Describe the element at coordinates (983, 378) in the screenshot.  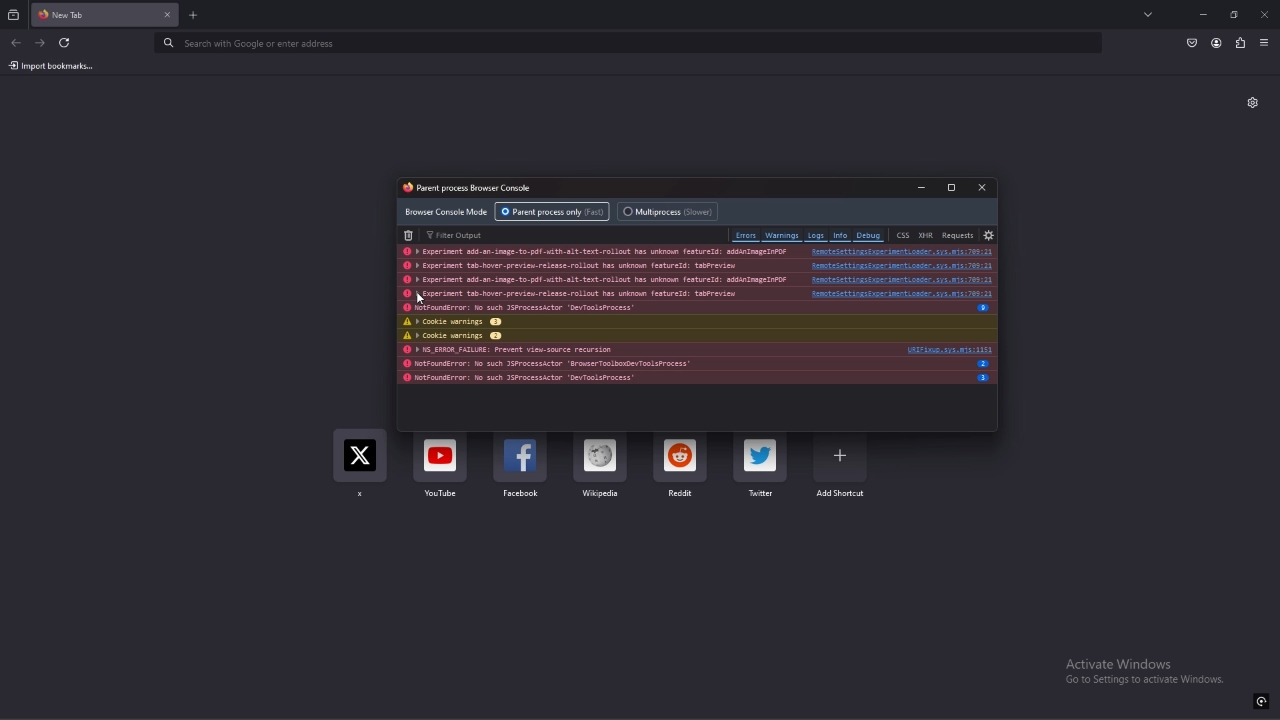
I see `info` at that location.